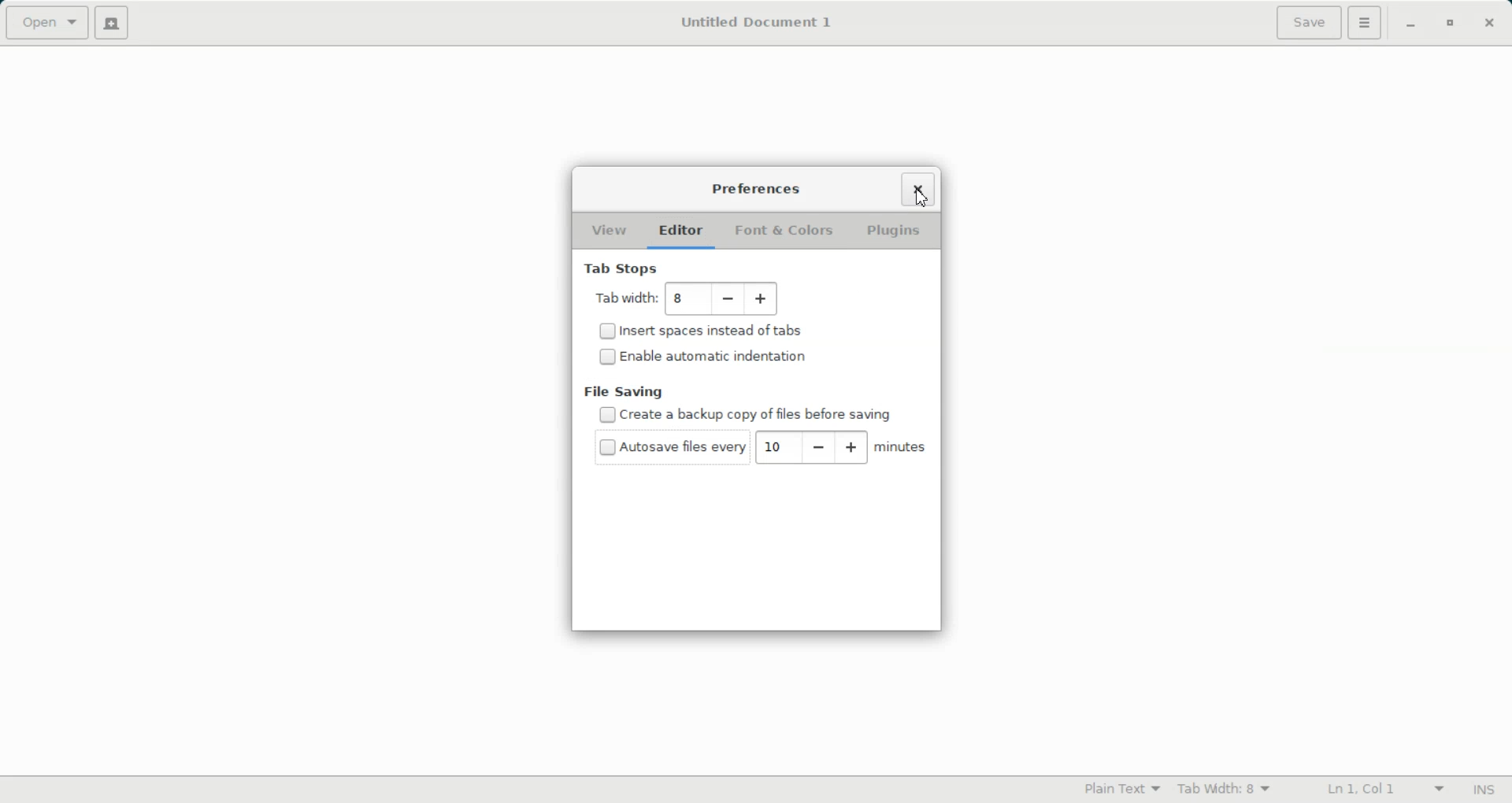 This screenshot has height=803, width=1512. Describe the element at coordinates (851, 447) in the screenshot. I see `Increase` at that location.